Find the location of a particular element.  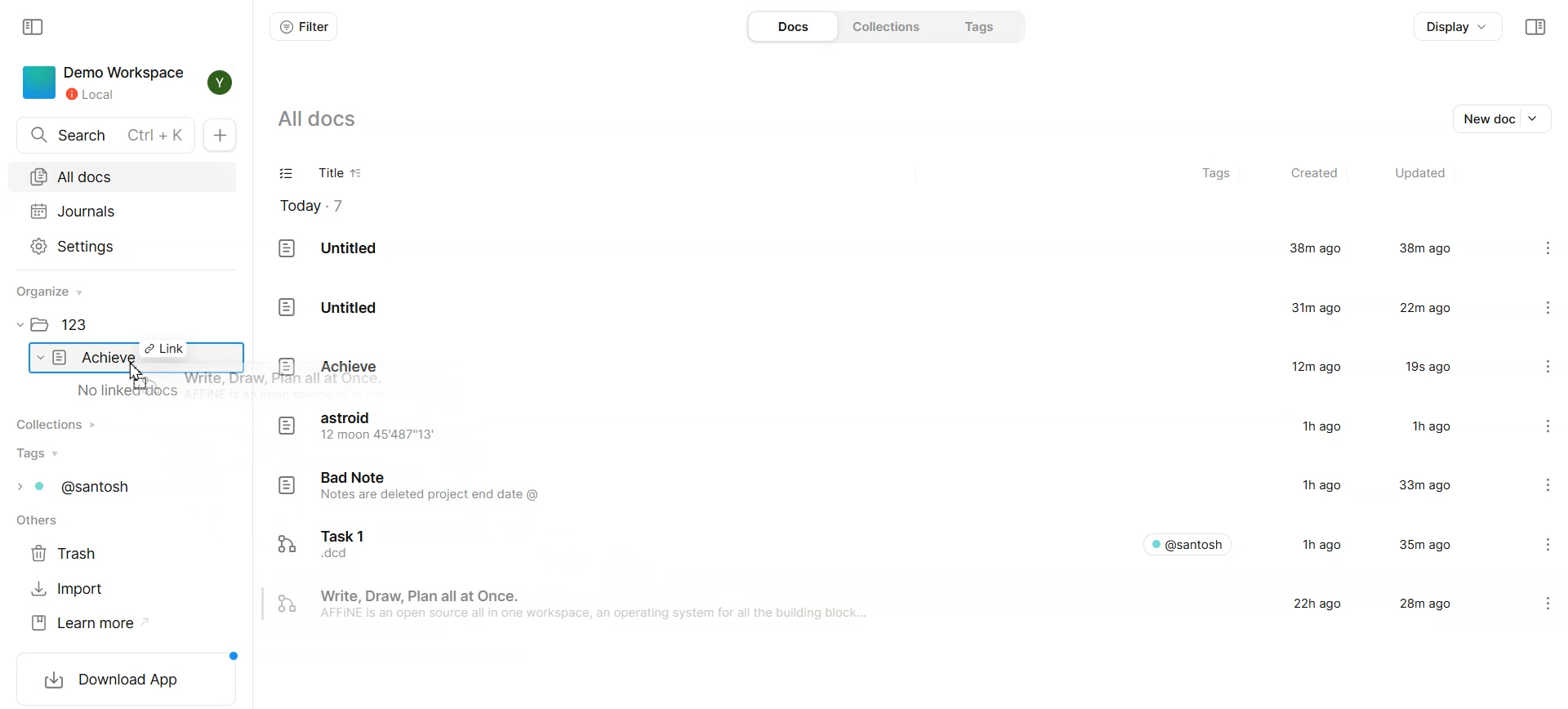

Settings is located at coordinates (1535, 542).